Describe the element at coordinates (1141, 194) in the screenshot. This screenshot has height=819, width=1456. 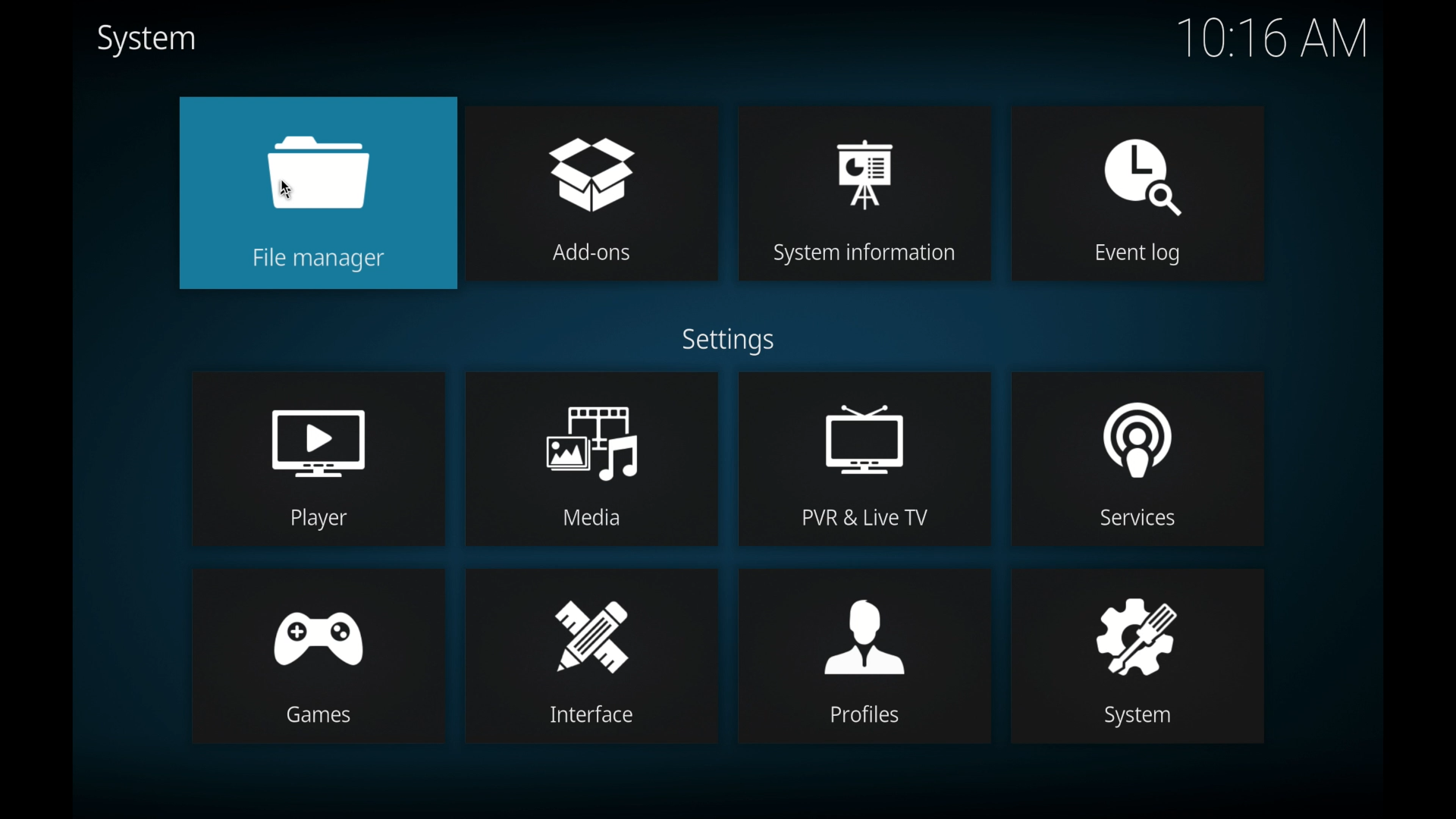
I see `event log` at that location.